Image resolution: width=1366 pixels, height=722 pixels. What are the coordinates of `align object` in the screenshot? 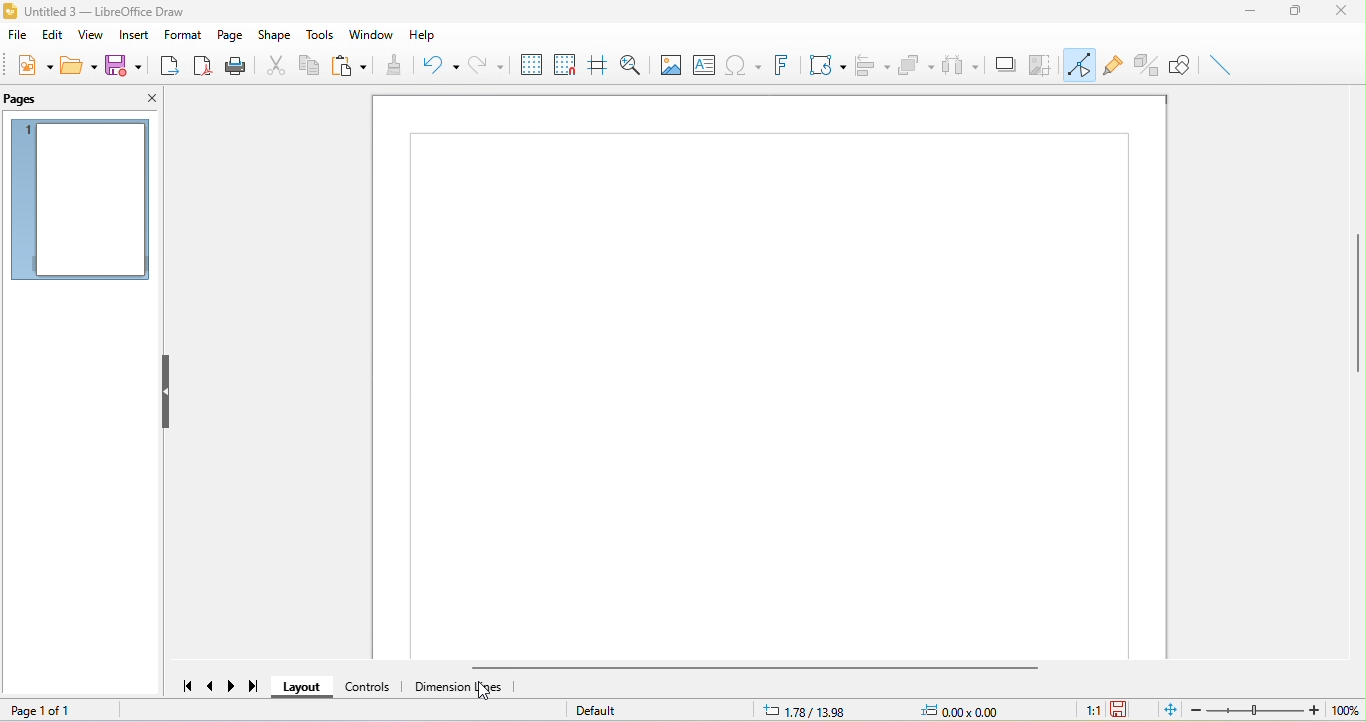 It's located at (876, 62).